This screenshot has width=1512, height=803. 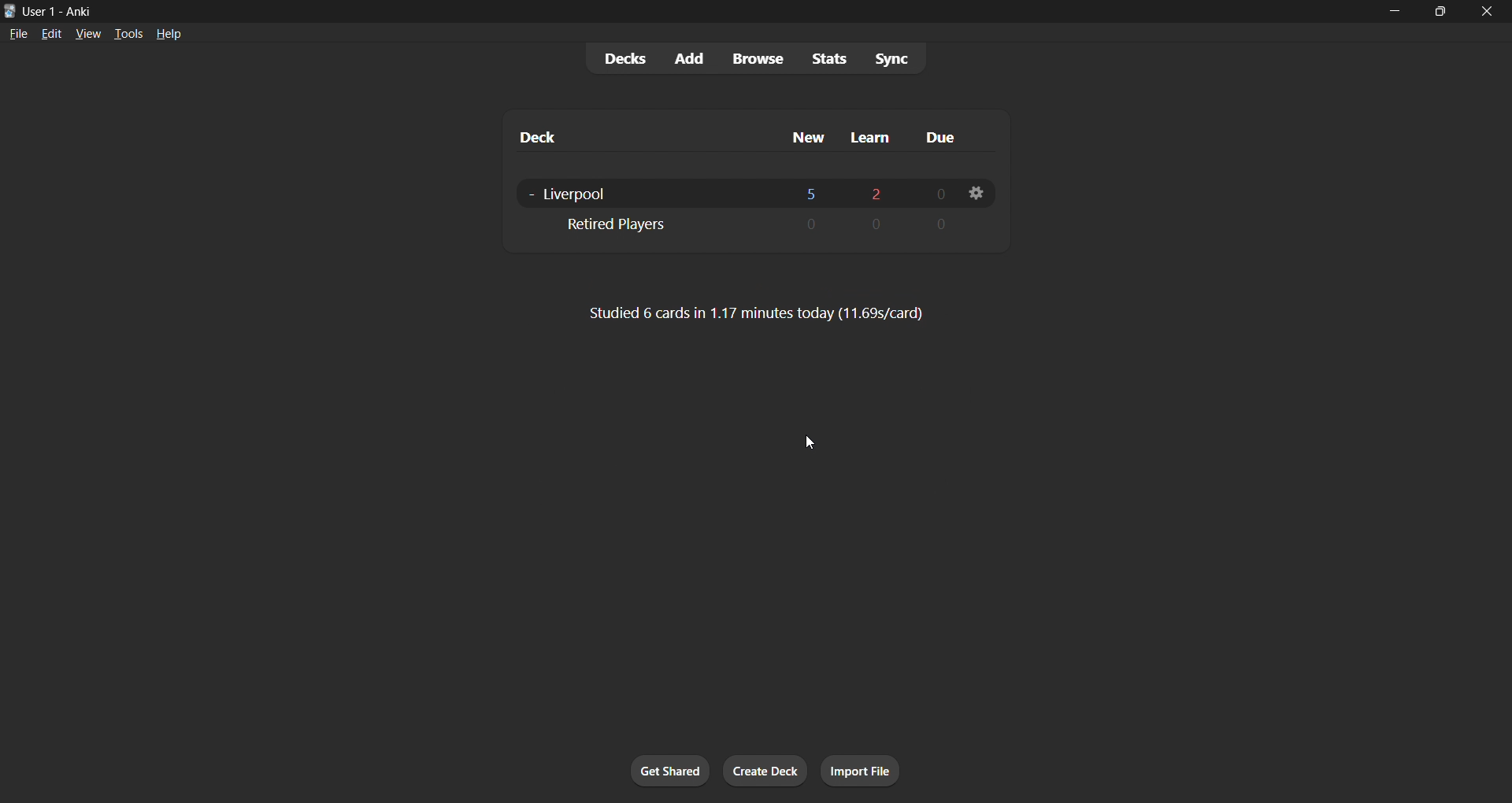 What do you see at coordinates (1432, 13) in the screenshot?
I see `maximize/restore` at bounding box center [1432, 13].